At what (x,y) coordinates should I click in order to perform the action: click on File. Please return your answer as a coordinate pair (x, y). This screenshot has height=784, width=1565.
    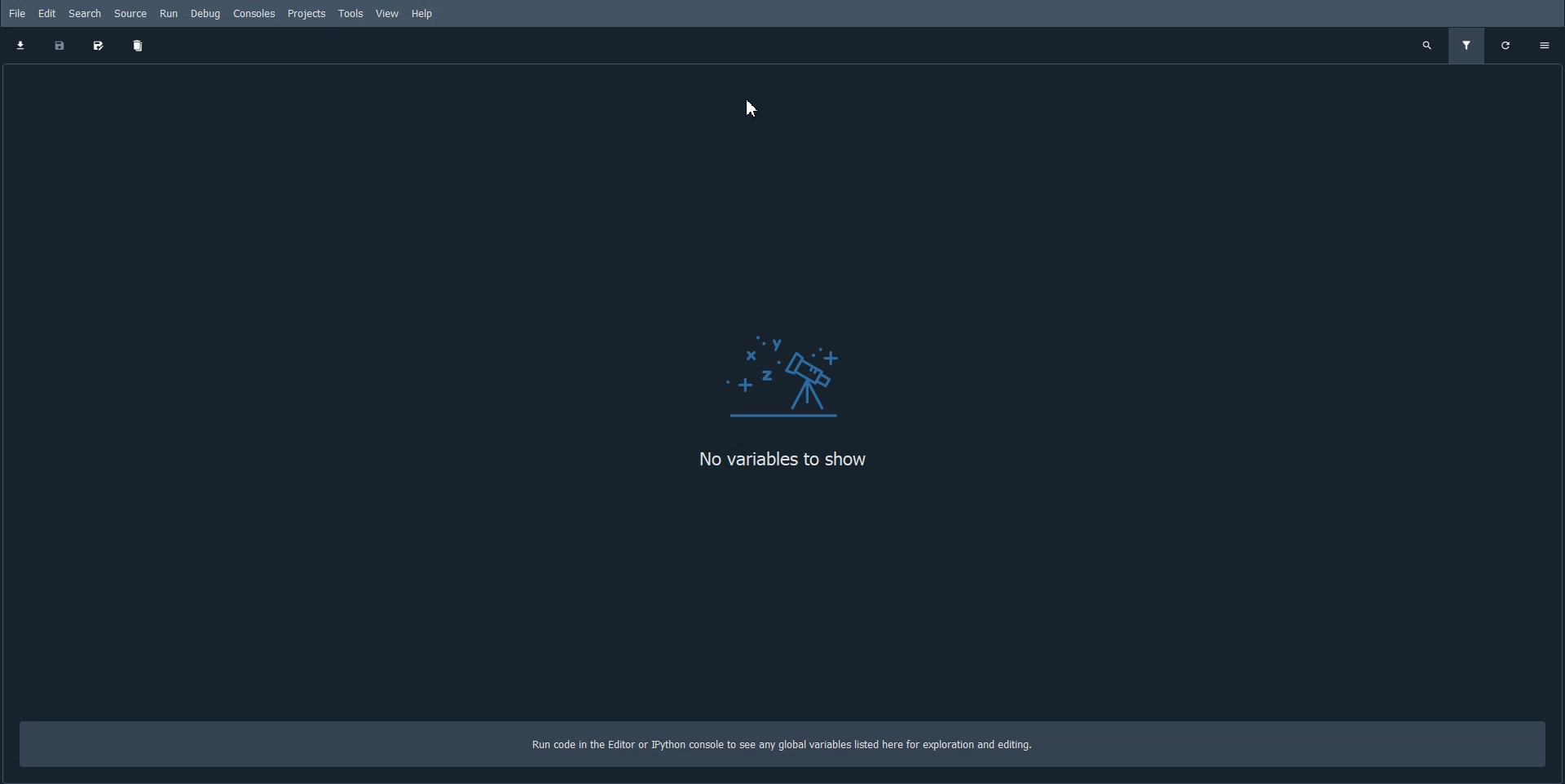
    Looking at the image, I should click on (16, 13).